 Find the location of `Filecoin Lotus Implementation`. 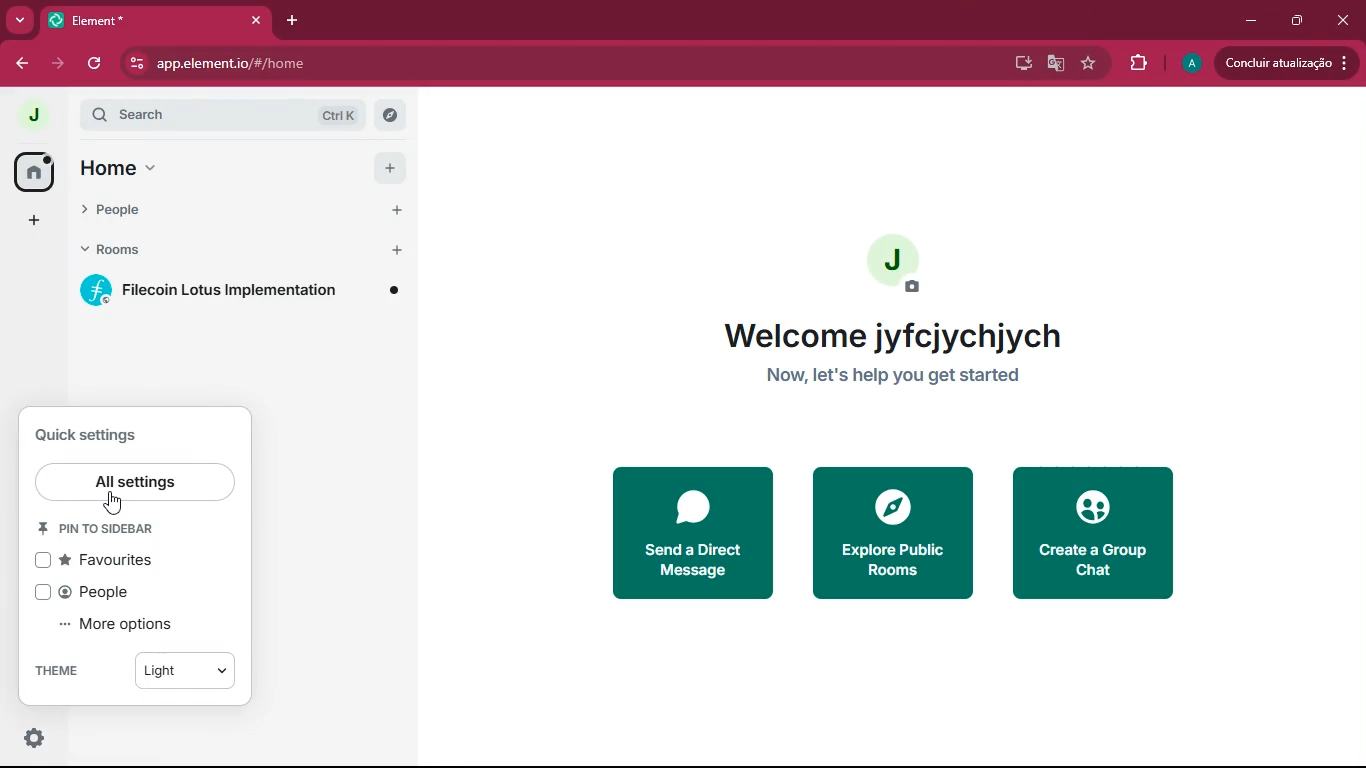

Filecoin Lotus Implementation is located at coordinates (248, 292).